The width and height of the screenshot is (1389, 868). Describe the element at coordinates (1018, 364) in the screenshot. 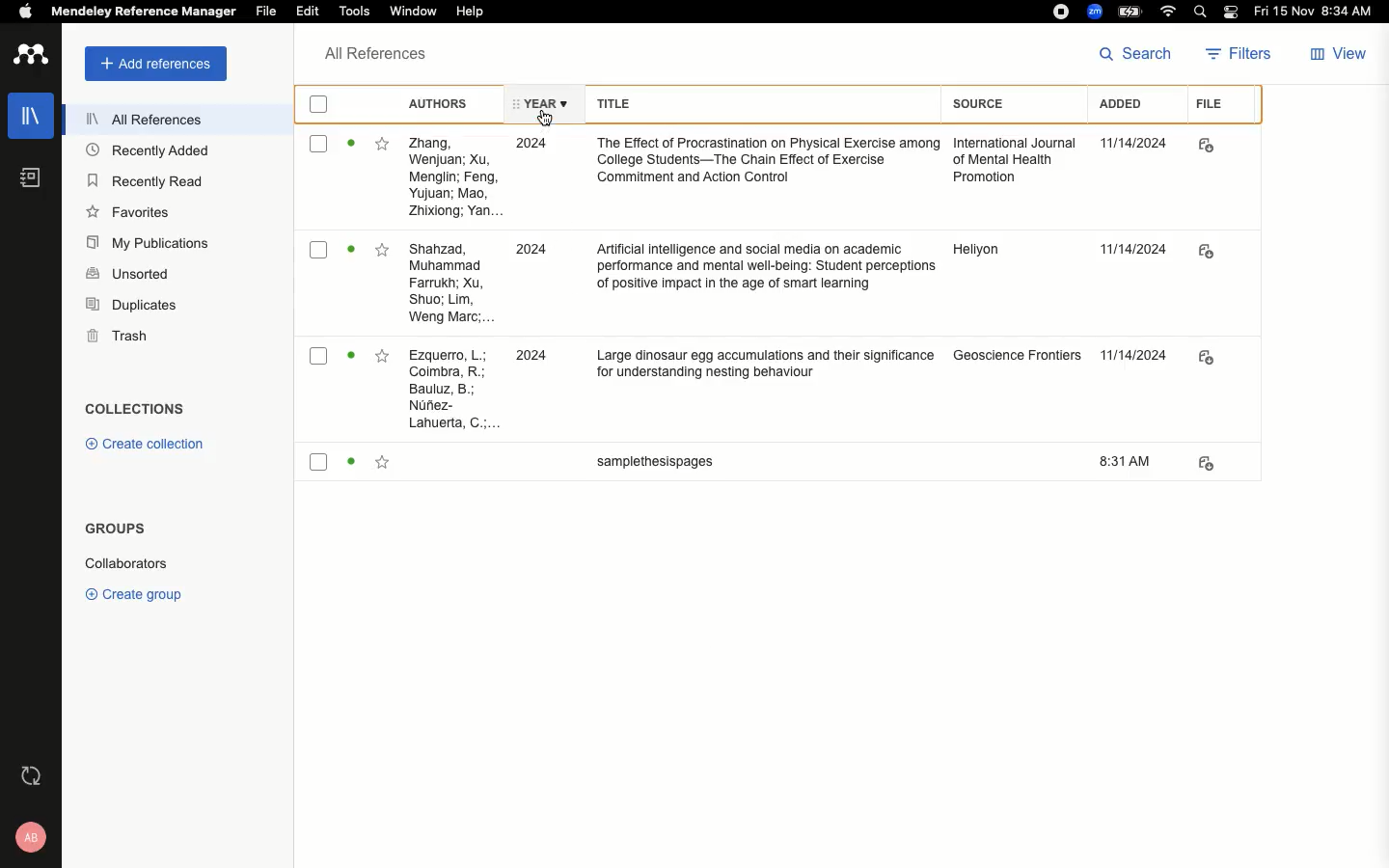

I see `source` at that location.